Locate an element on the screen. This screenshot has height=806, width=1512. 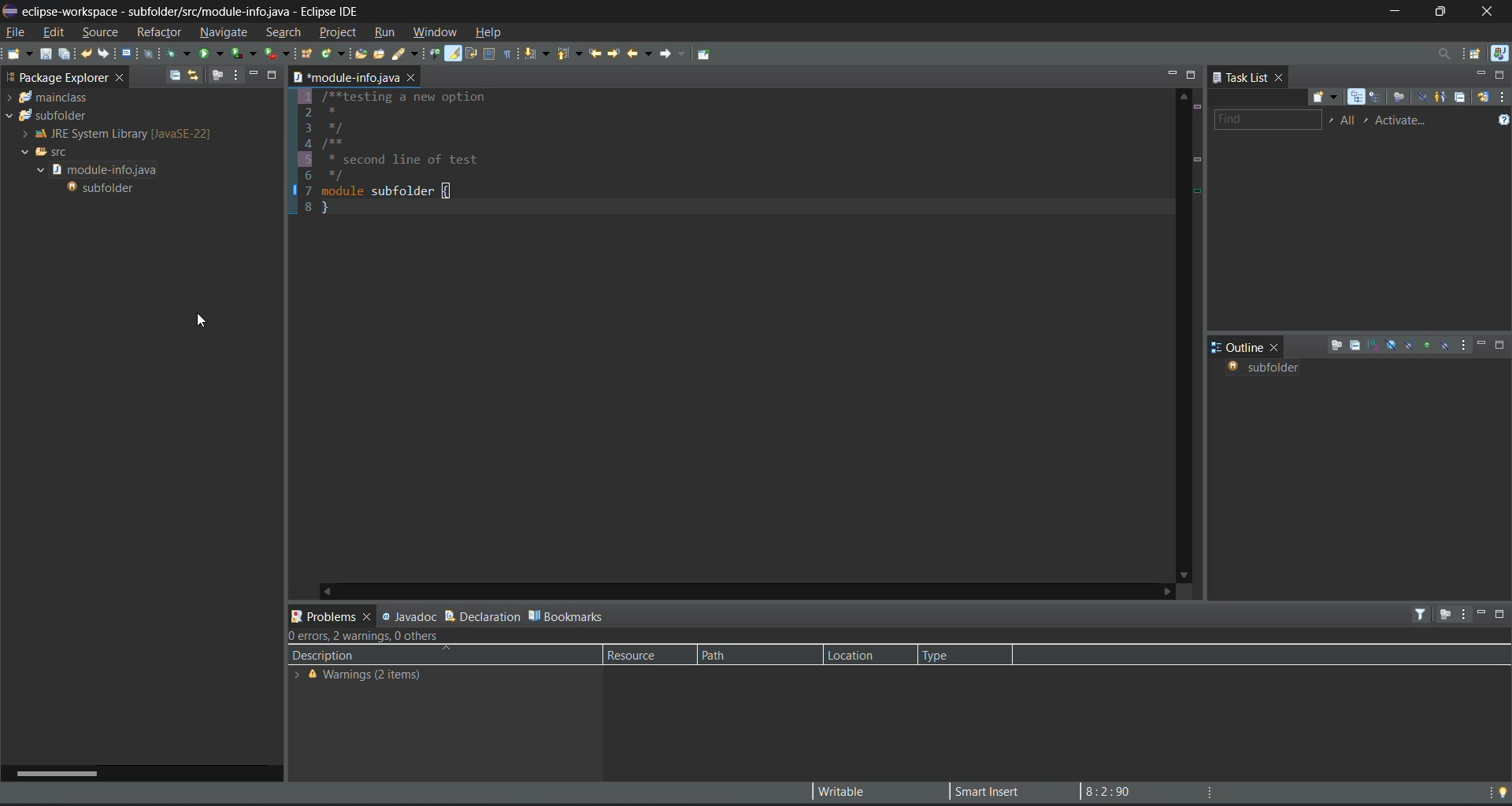
file is located at coordinates (17, 31).